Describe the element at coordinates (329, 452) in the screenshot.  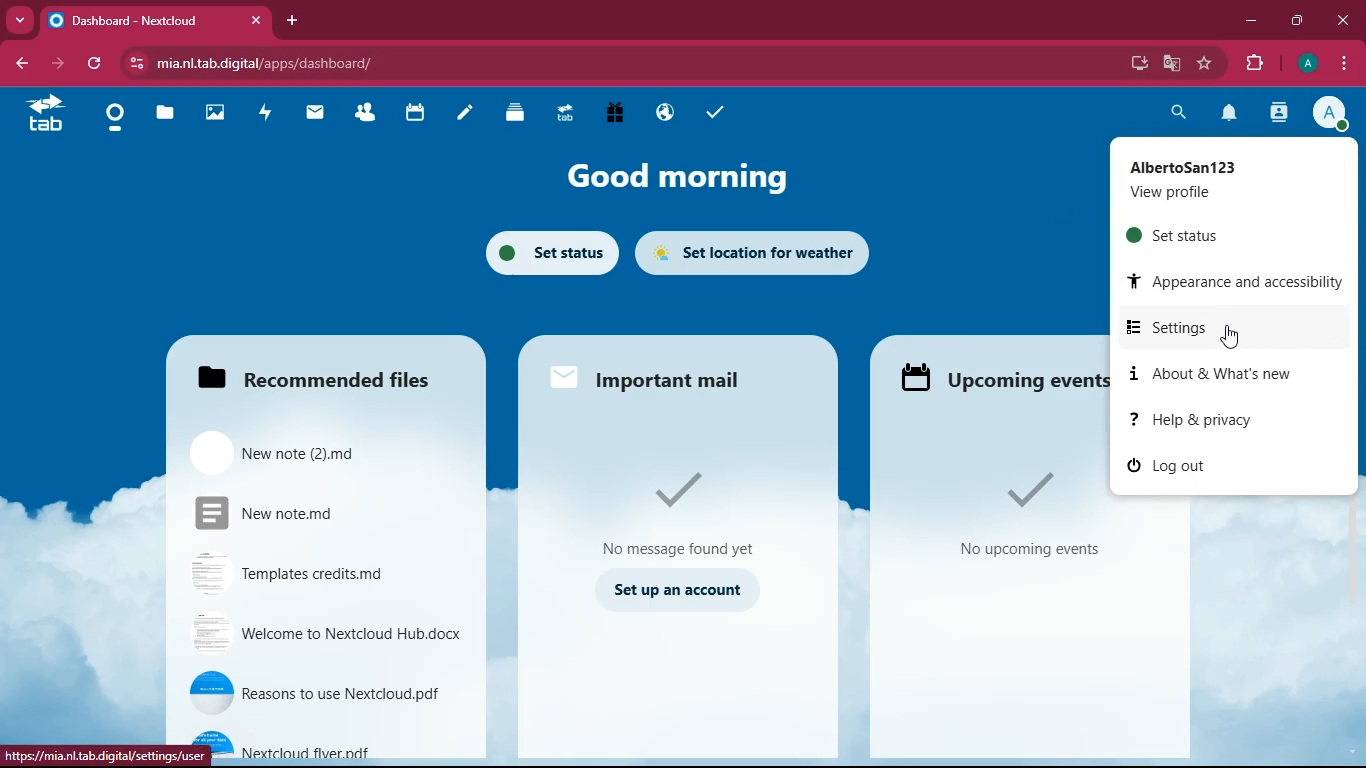
I see `New note (2)` at that location.